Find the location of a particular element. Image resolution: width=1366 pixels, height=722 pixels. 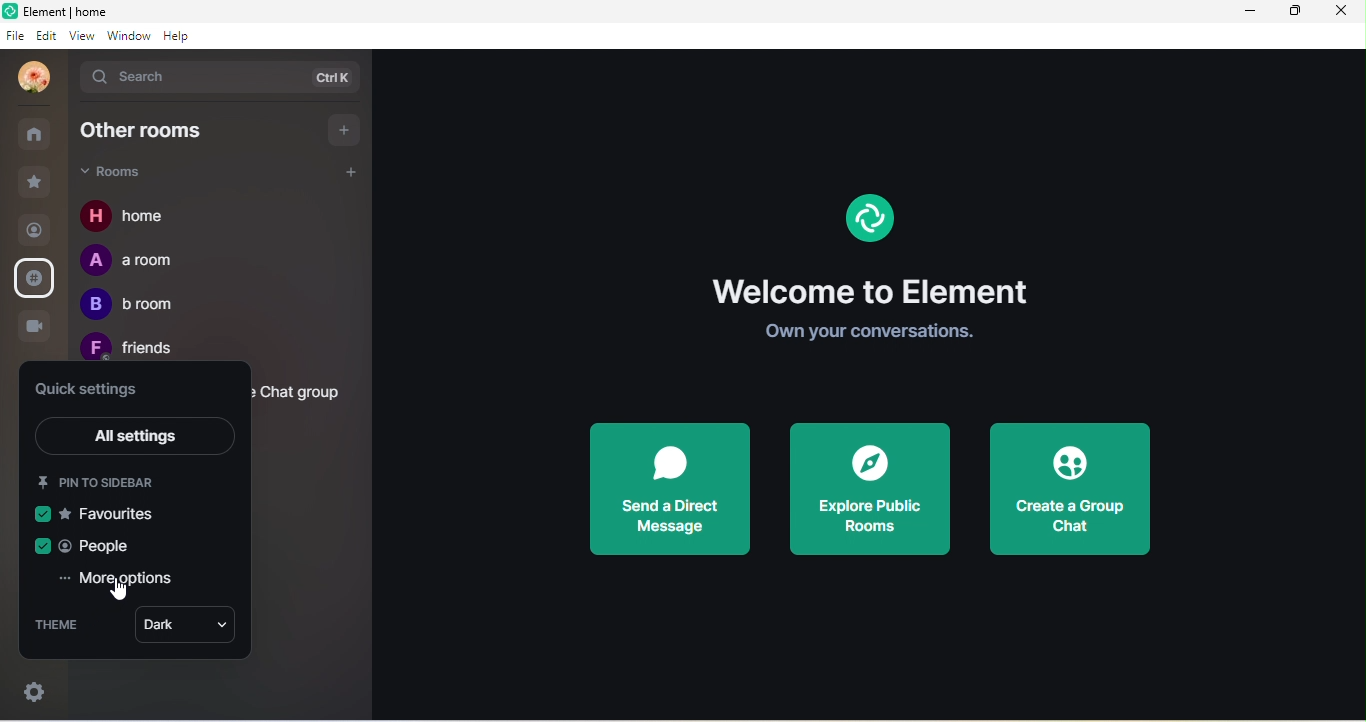

public room is located at coordinates (35, 277).